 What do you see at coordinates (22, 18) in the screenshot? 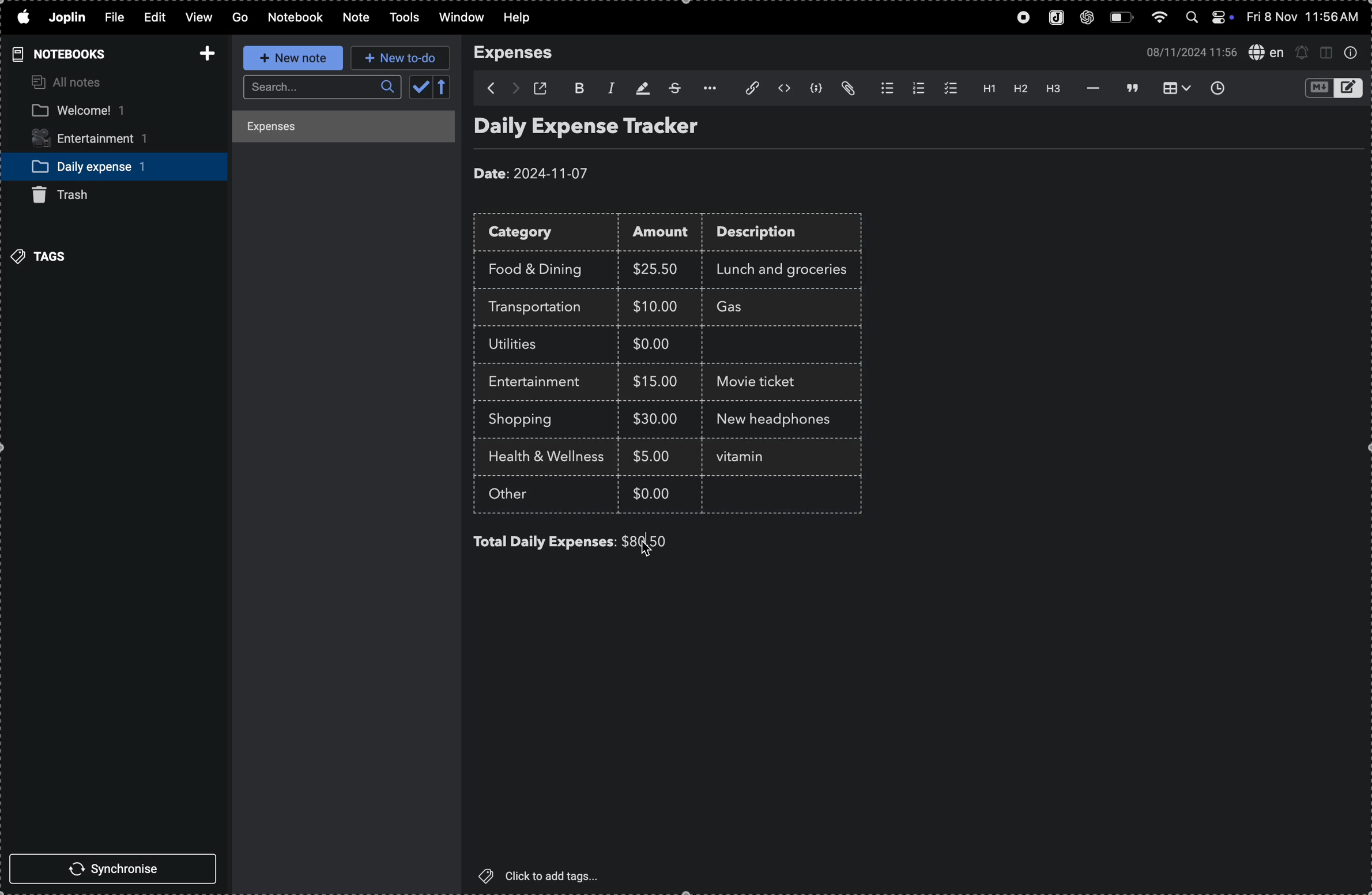
I see `apple menu` at bounding box center [22, 18].